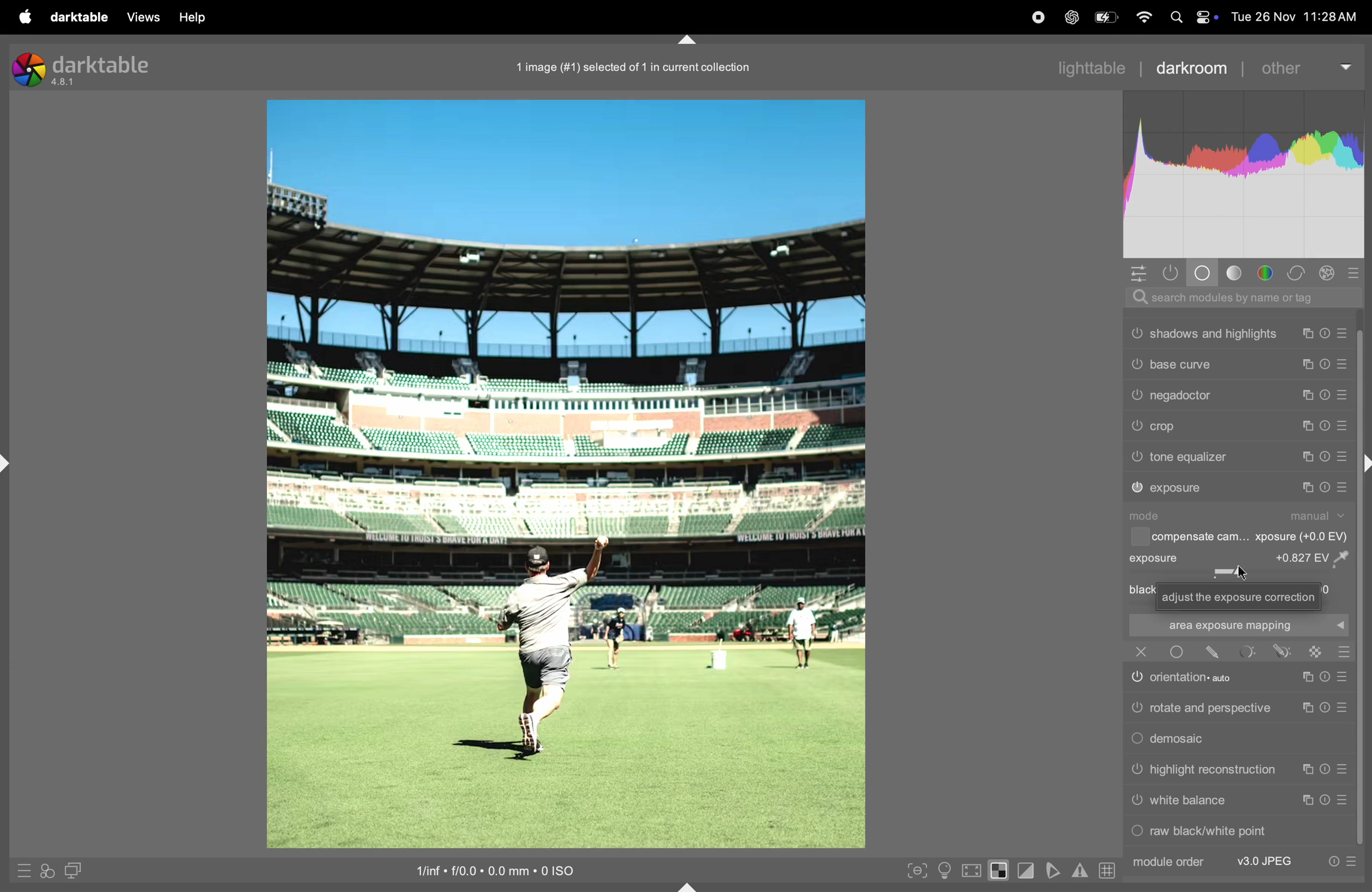 The height and width of the screenshot is (892, 1372). Describe the element at coordinates (1136, 679) in the screenshot. I see `Switch on or off` at that location.